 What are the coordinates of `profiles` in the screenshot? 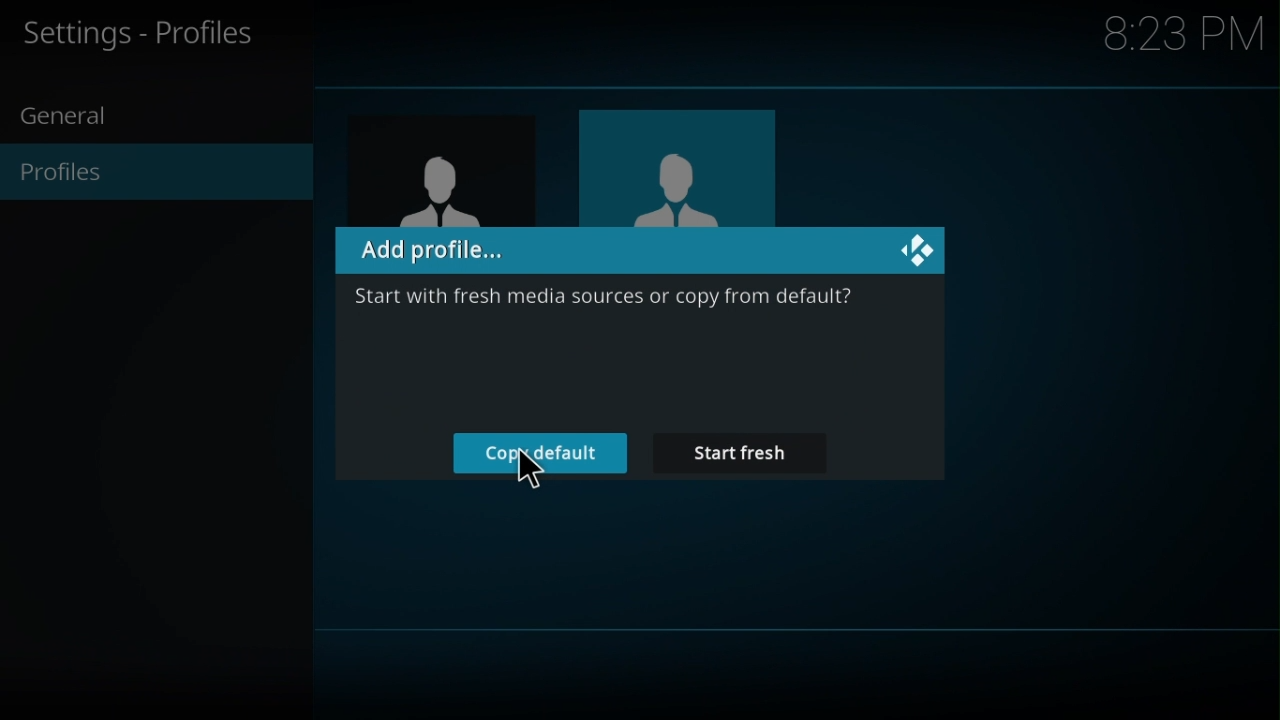 It's located at (71, 177).